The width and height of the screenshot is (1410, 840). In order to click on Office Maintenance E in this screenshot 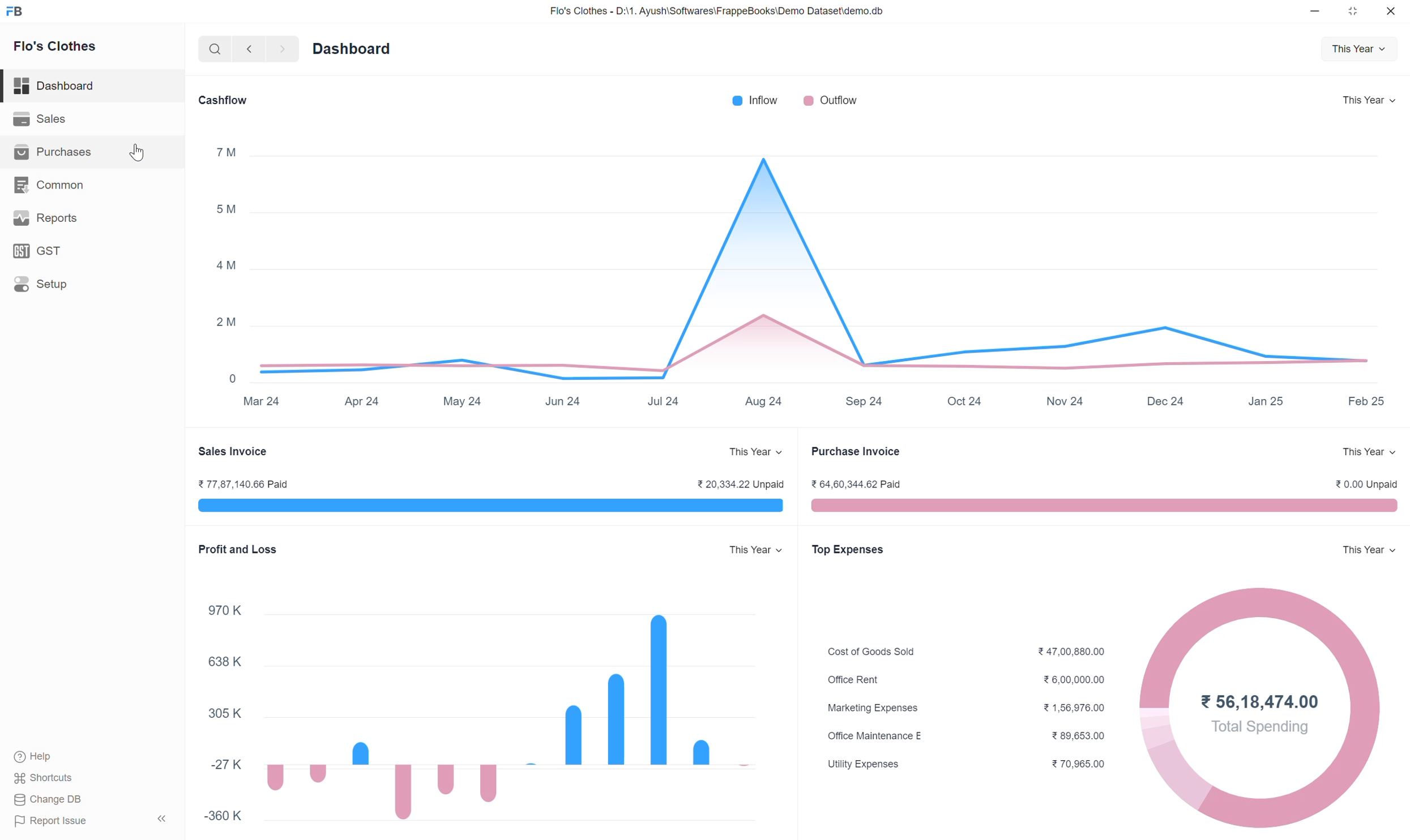, I will do `click(874, 735)`.